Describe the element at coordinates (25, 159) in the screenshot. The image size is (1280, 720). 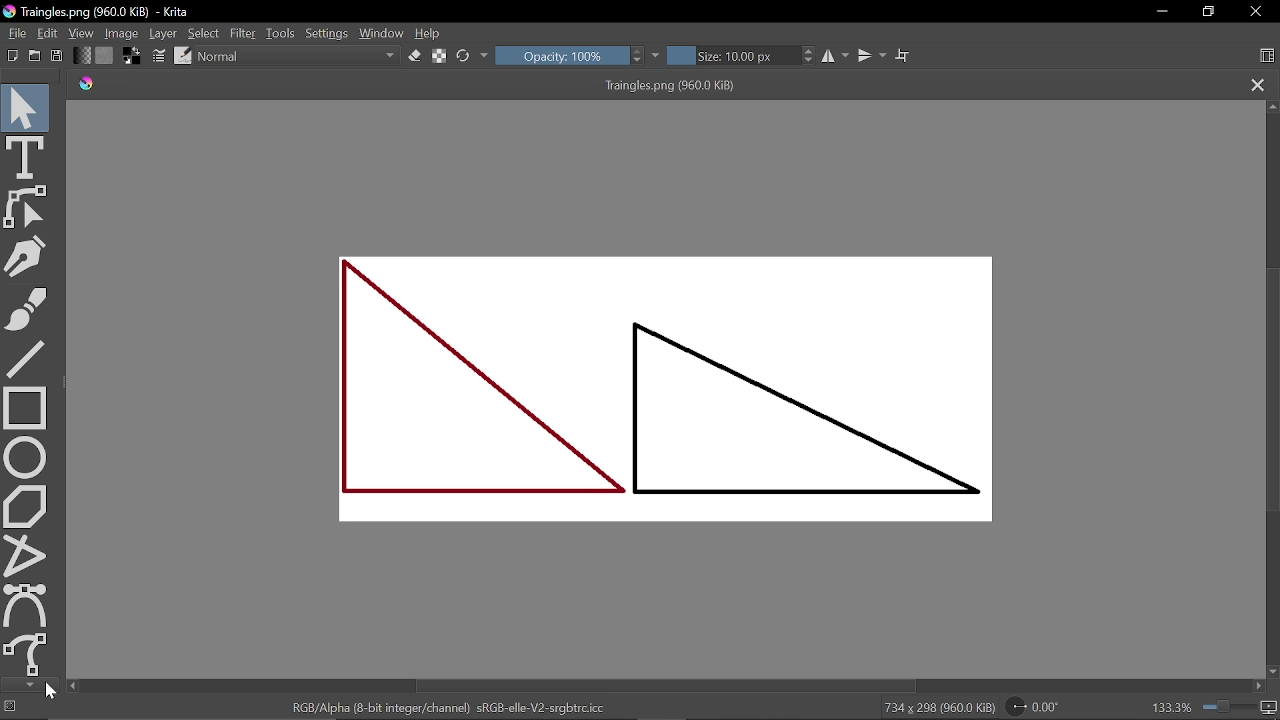
I see `Text` at that location.